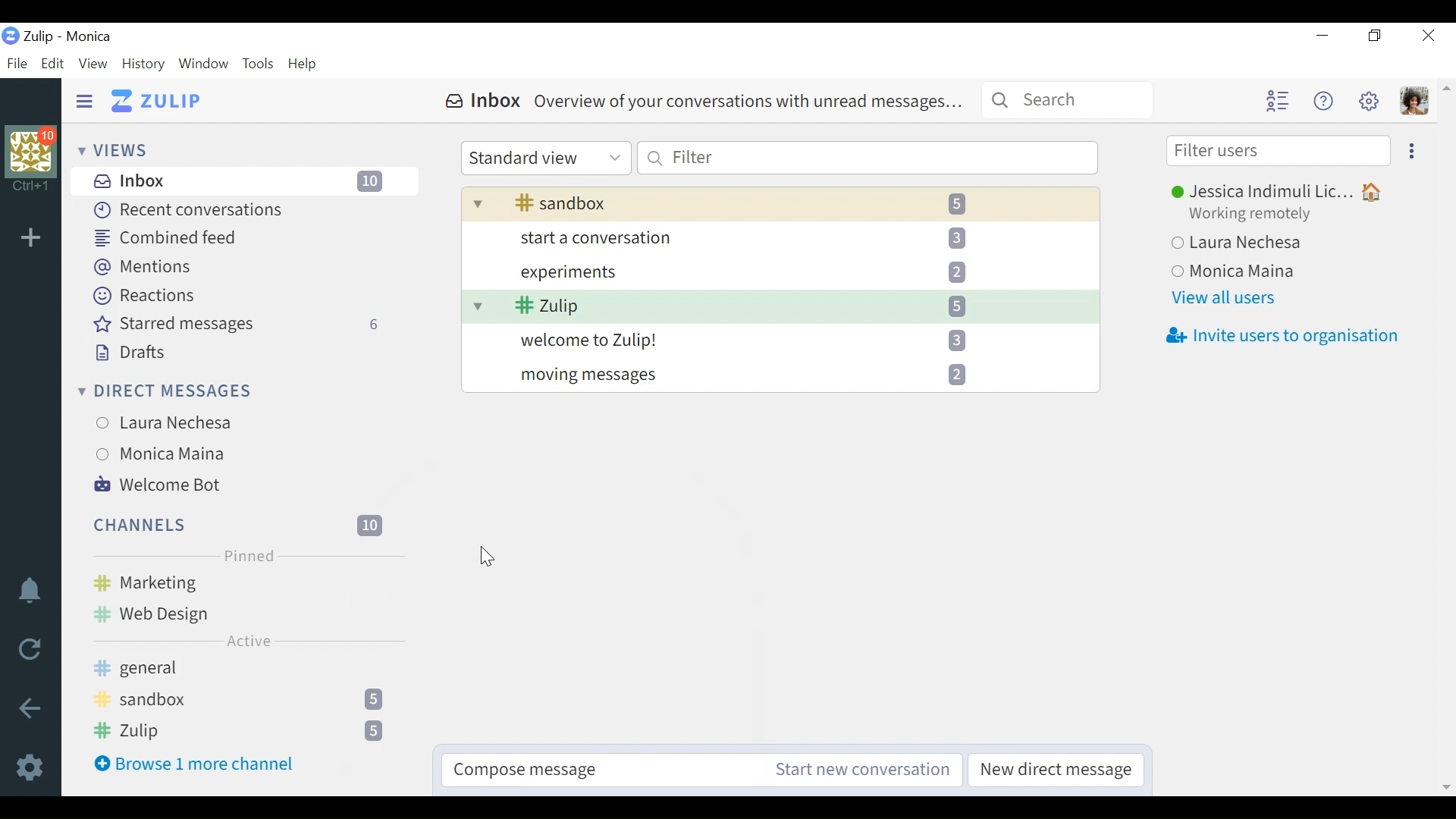  I want to click on Restore, so click(1373, 36).